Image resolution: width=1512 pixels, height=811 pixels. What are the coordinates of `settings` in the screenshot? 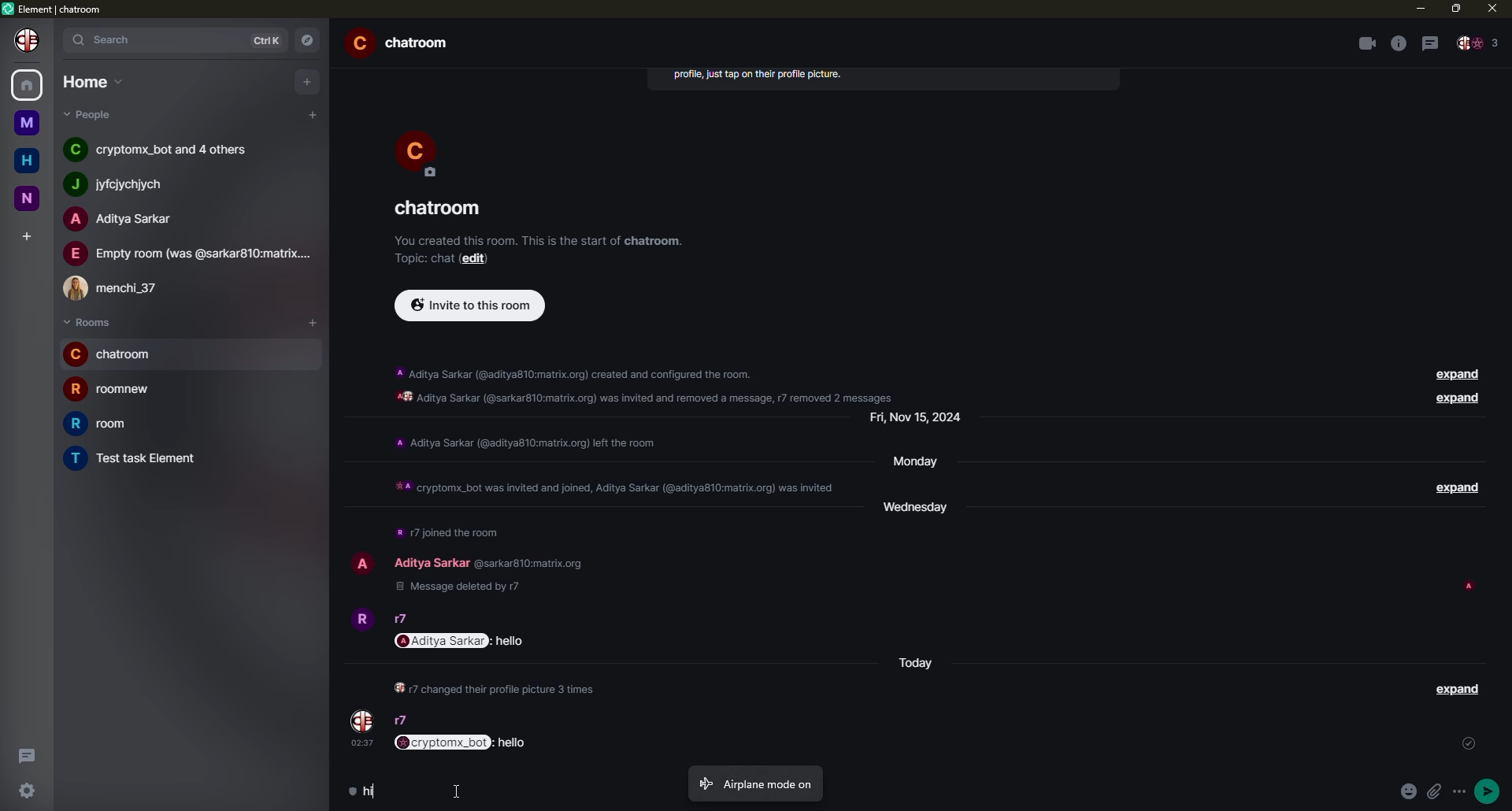 It's located at (24, 792).